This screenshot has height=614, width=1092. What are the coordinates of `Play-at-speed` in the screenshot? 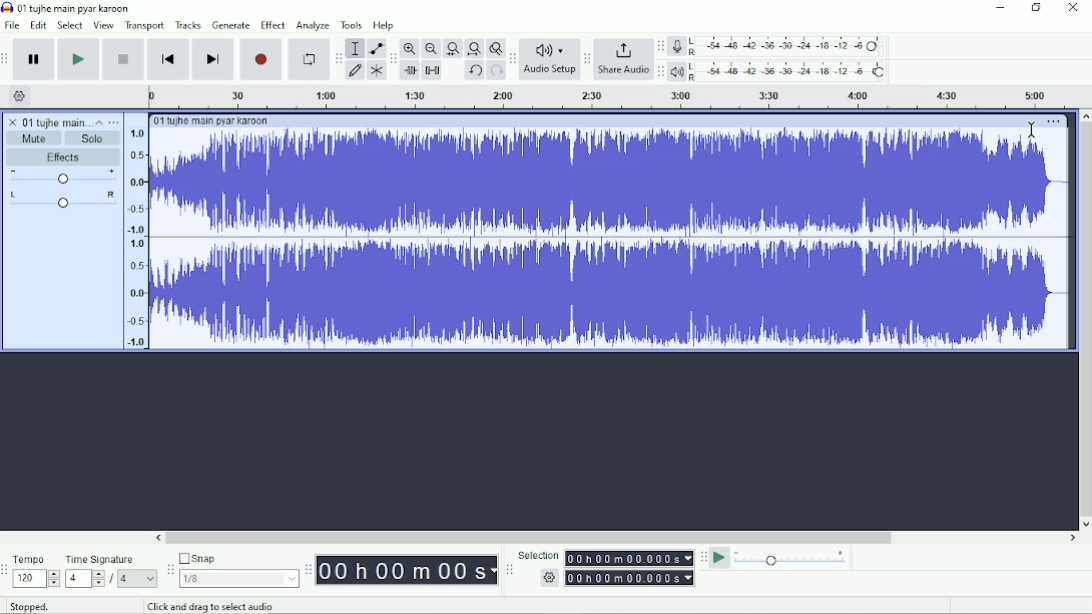 It's located at (721, 558).